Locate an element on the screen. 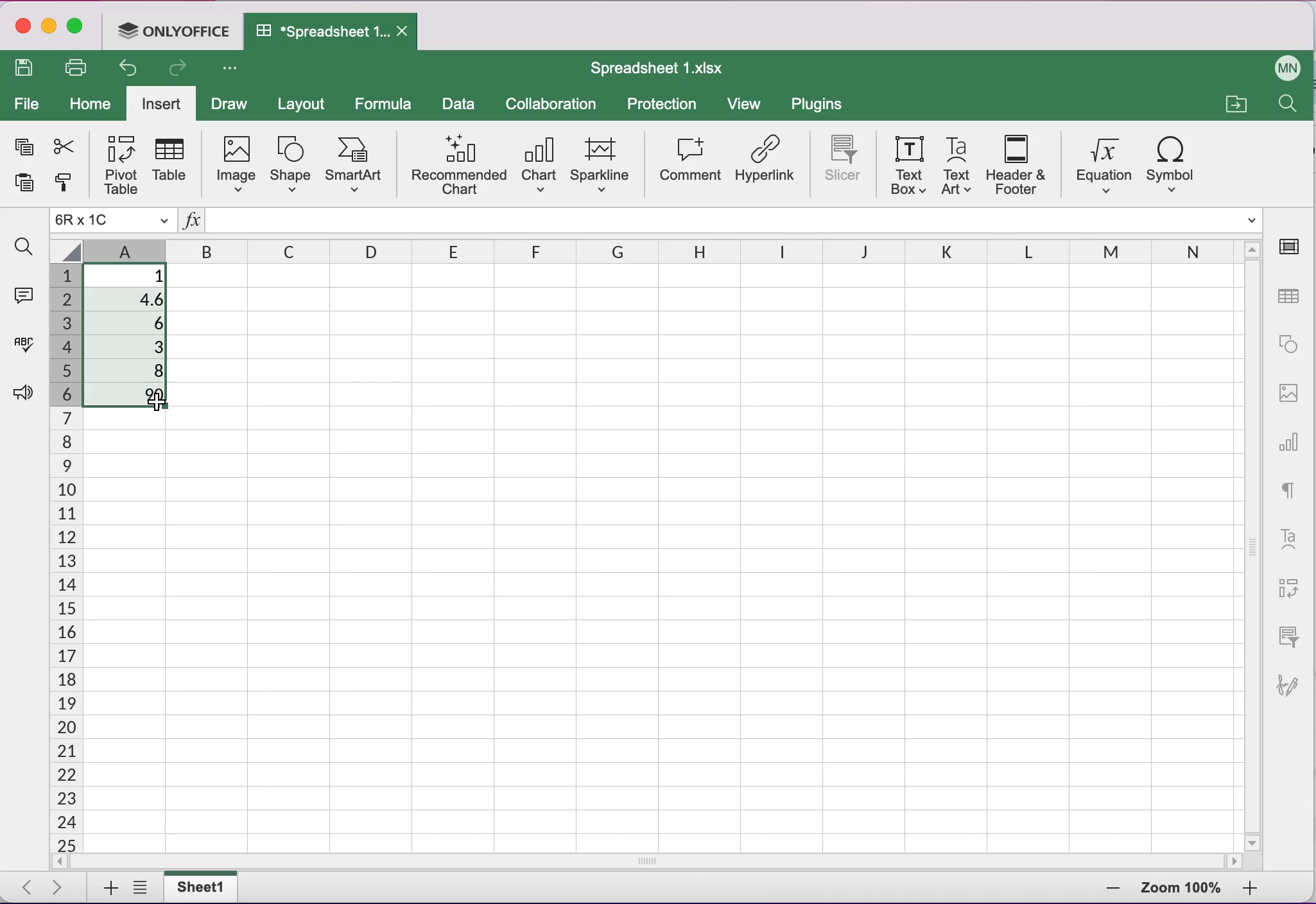 The image size is (1316, 904). hyperlink is located at coordinates (767, 164).